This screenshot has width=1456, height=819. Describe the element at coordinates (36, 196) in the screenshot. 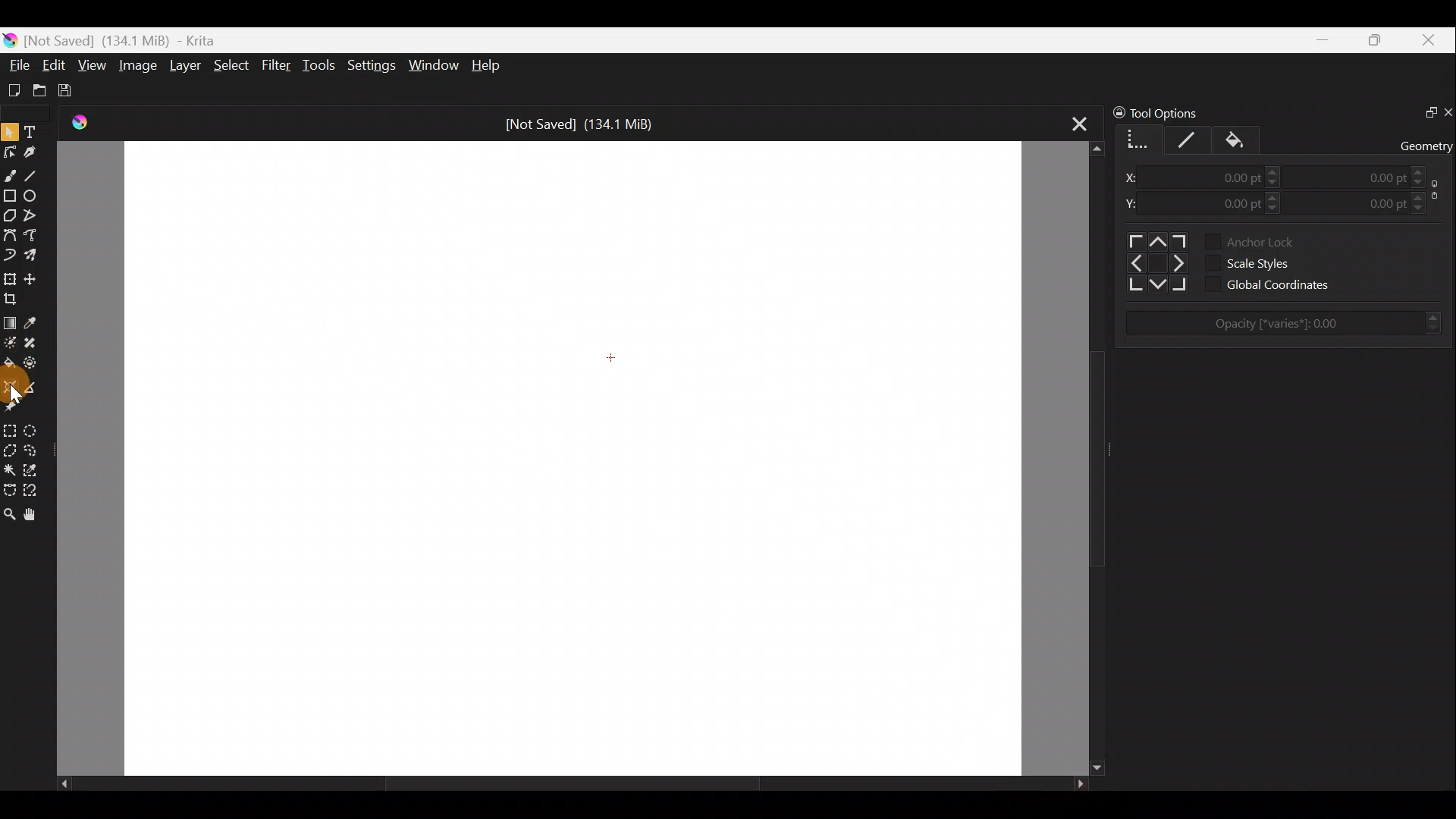

I see `Ellipse` at that location.